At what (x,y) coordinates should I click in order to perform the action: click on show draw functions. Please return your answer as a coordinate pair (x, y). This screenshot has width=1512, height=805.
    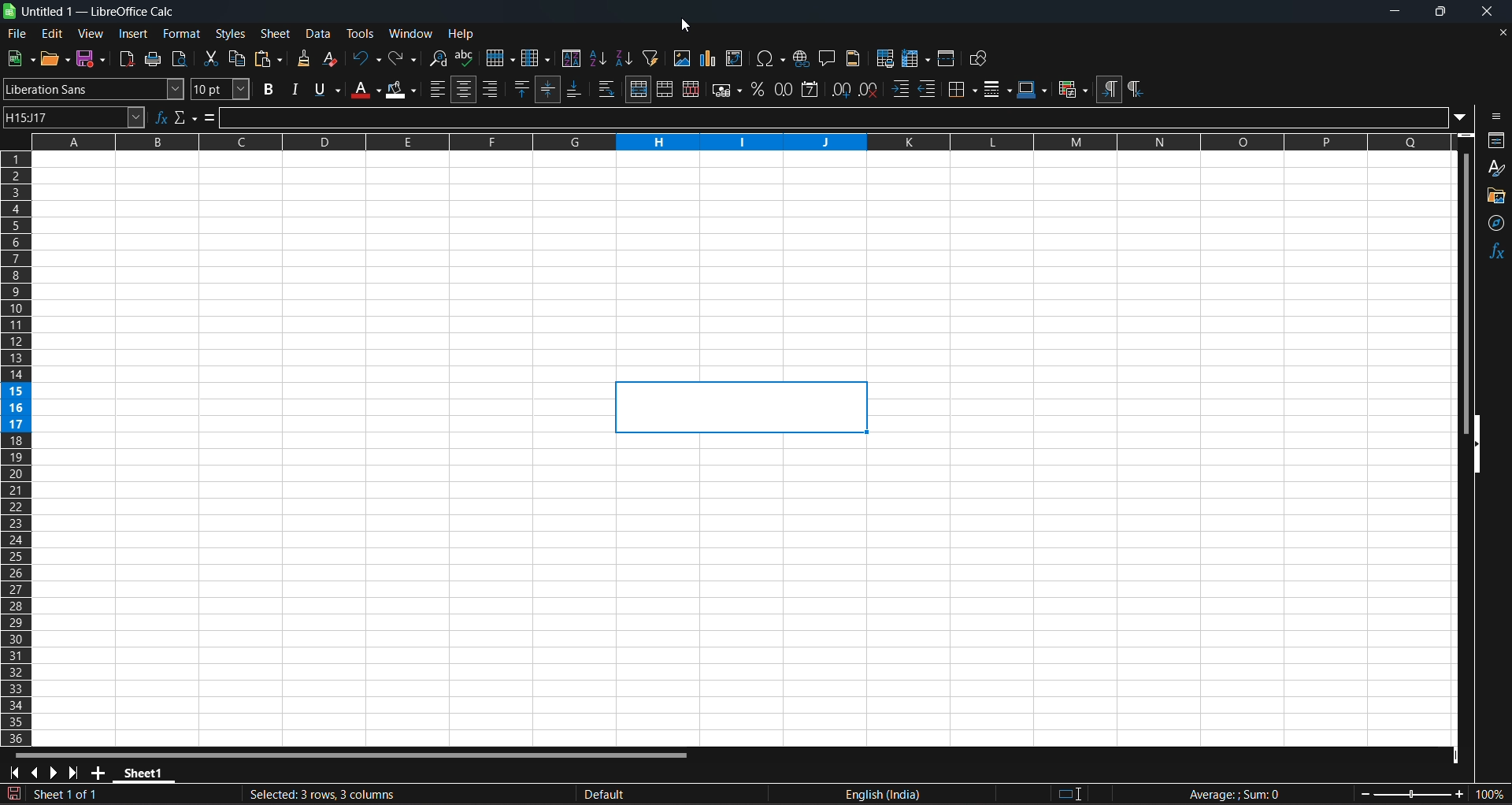
    Looking at the image, I should click on (979, 57).